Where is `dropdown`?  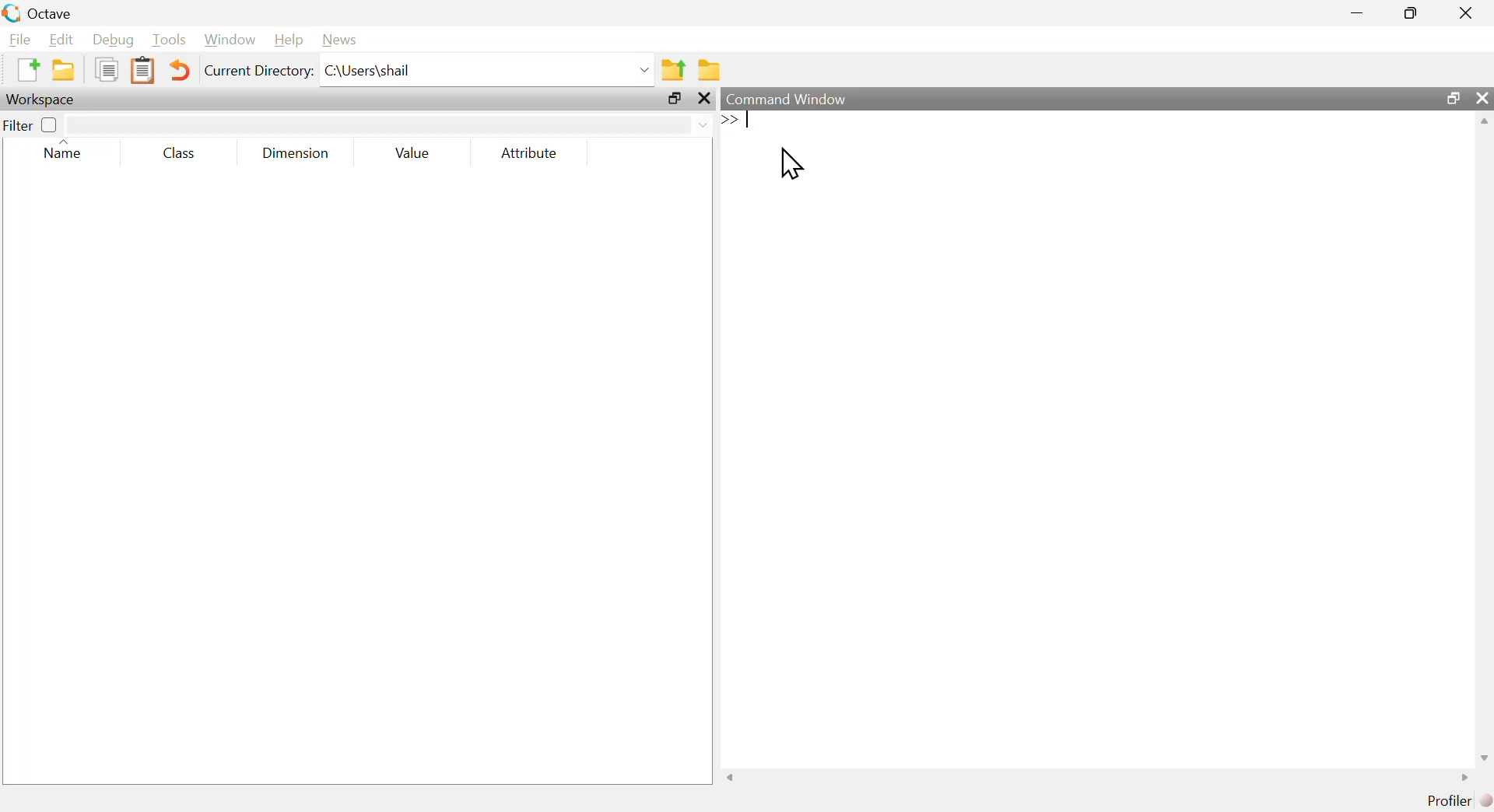 dropdown is located at coordinates (389, 123).